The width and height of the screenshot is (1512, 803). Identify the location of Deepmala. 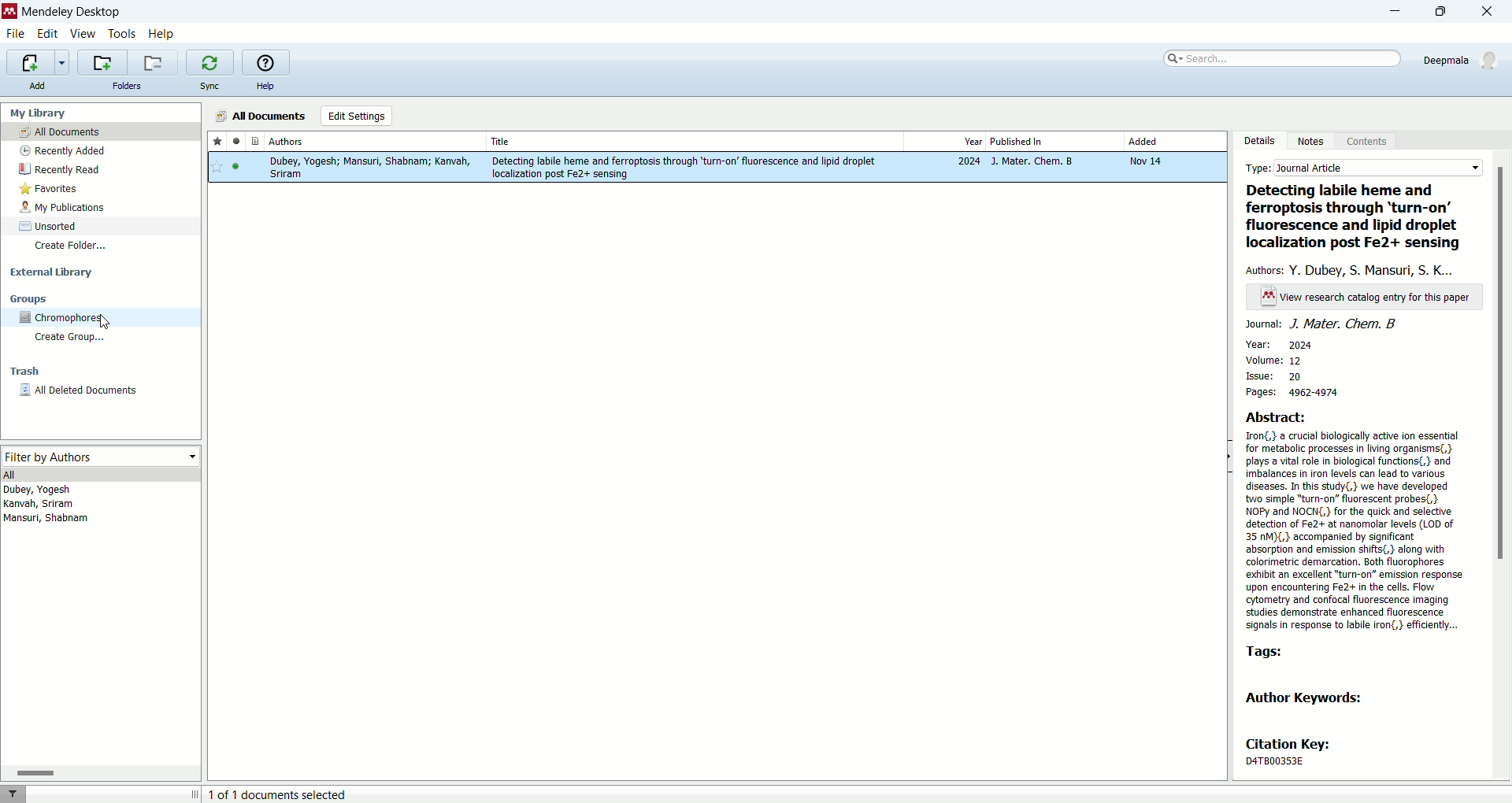
(1462, 57).